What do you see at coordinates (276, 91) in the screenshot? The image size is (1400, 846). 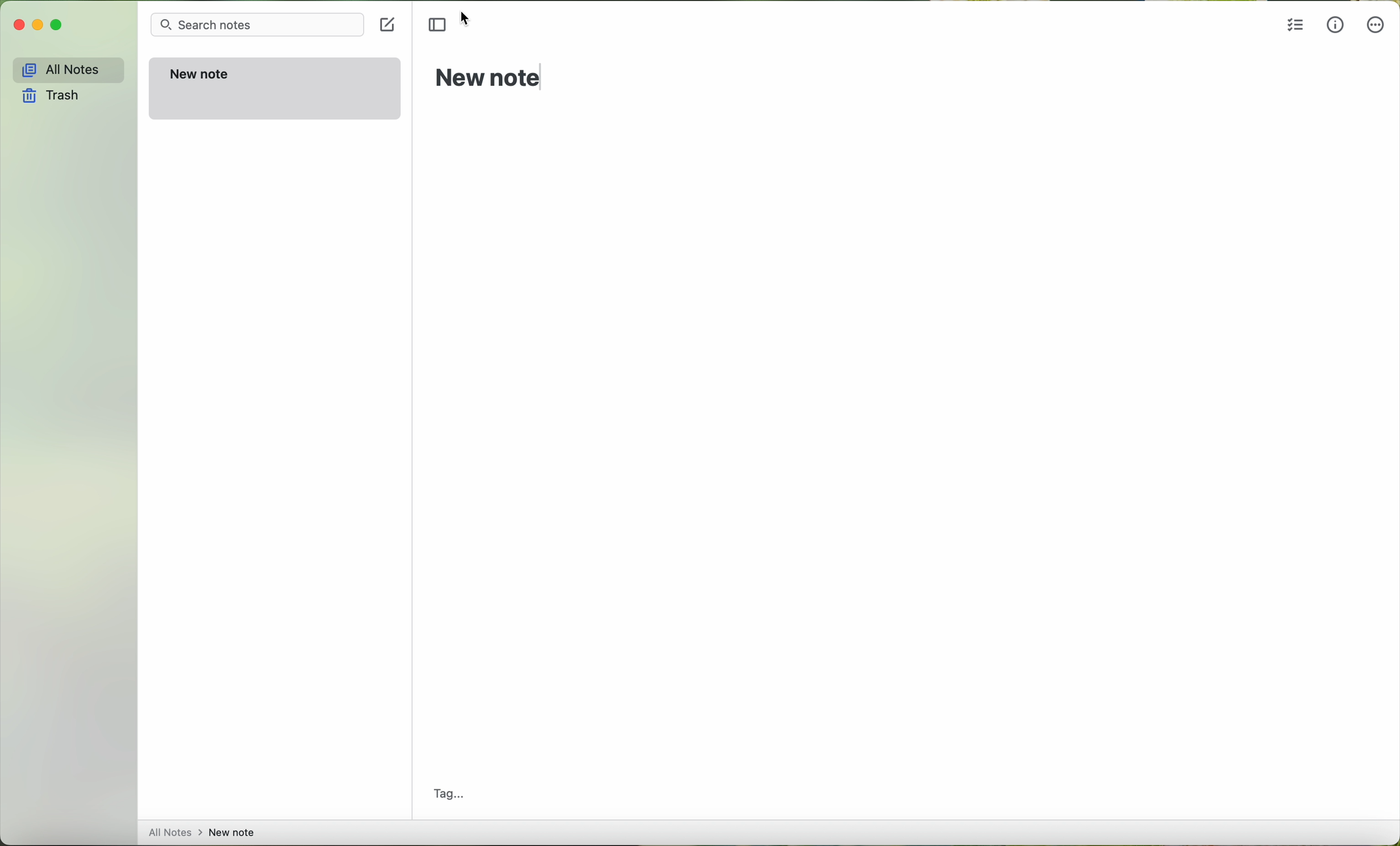 I see `new note` at bounding box center [276, 91].